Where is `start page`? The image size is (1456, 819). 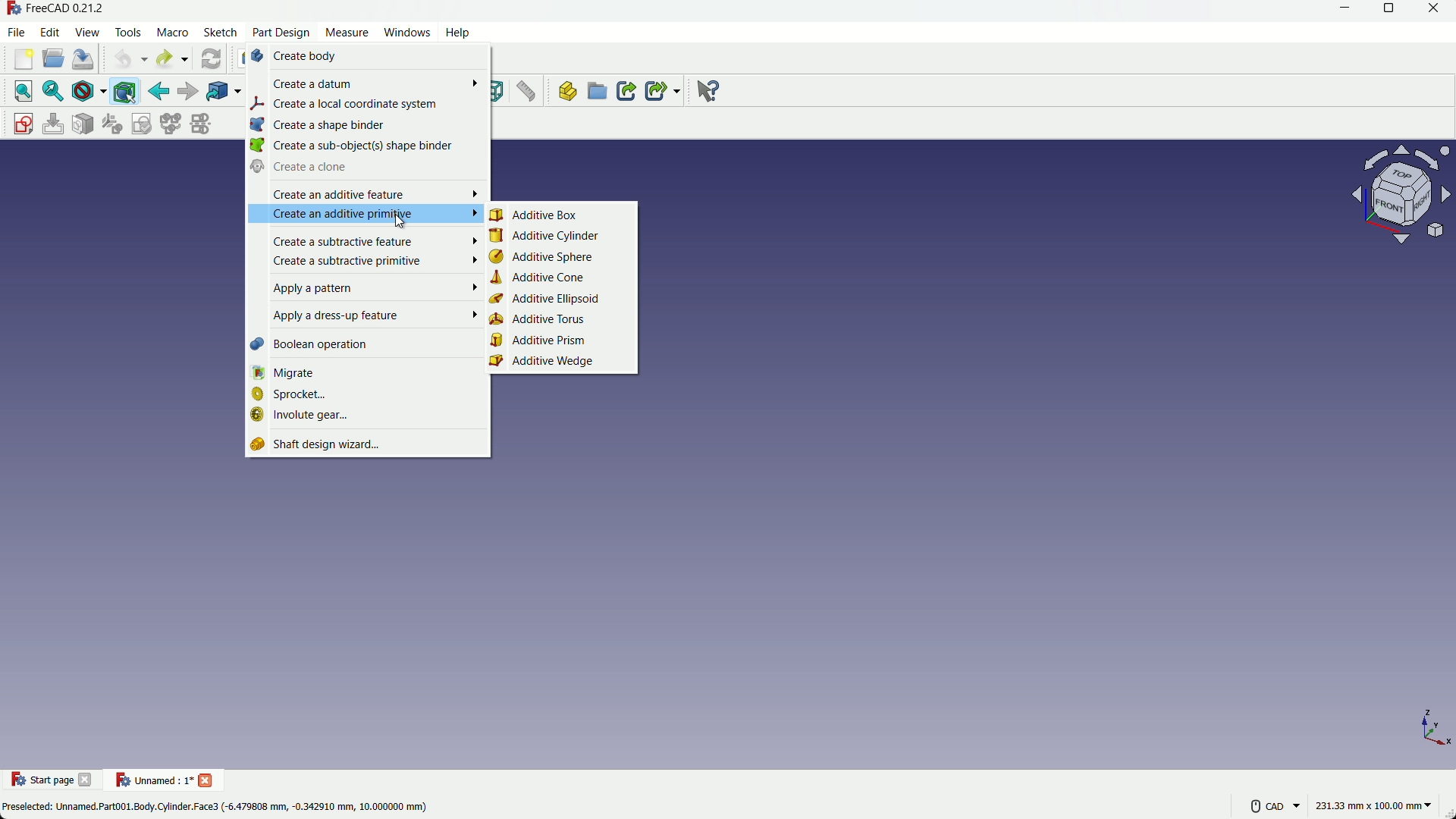
start page is located at coordinates (58, 781).